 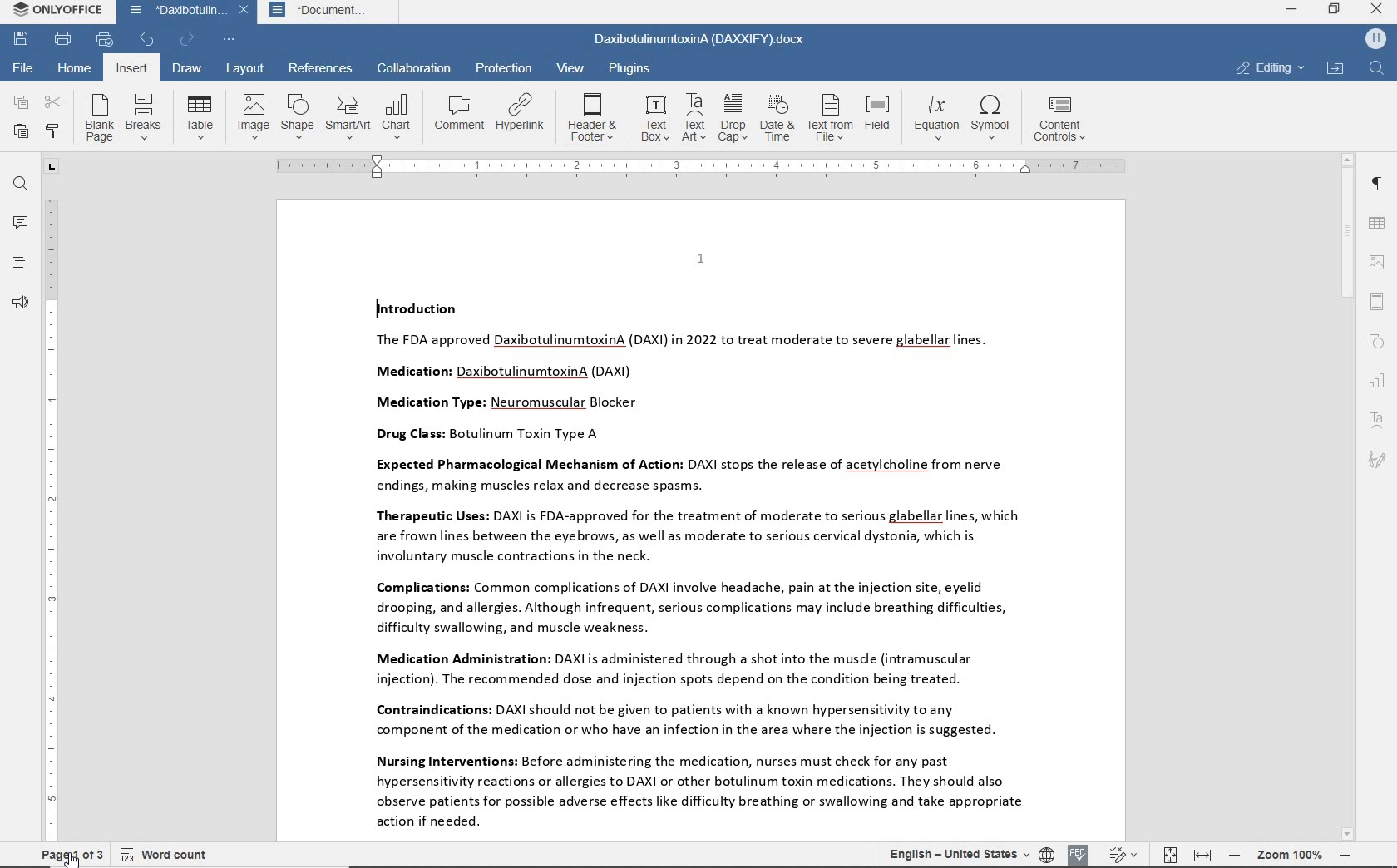 I want to click on header & footer, so click(x=594, y=116).